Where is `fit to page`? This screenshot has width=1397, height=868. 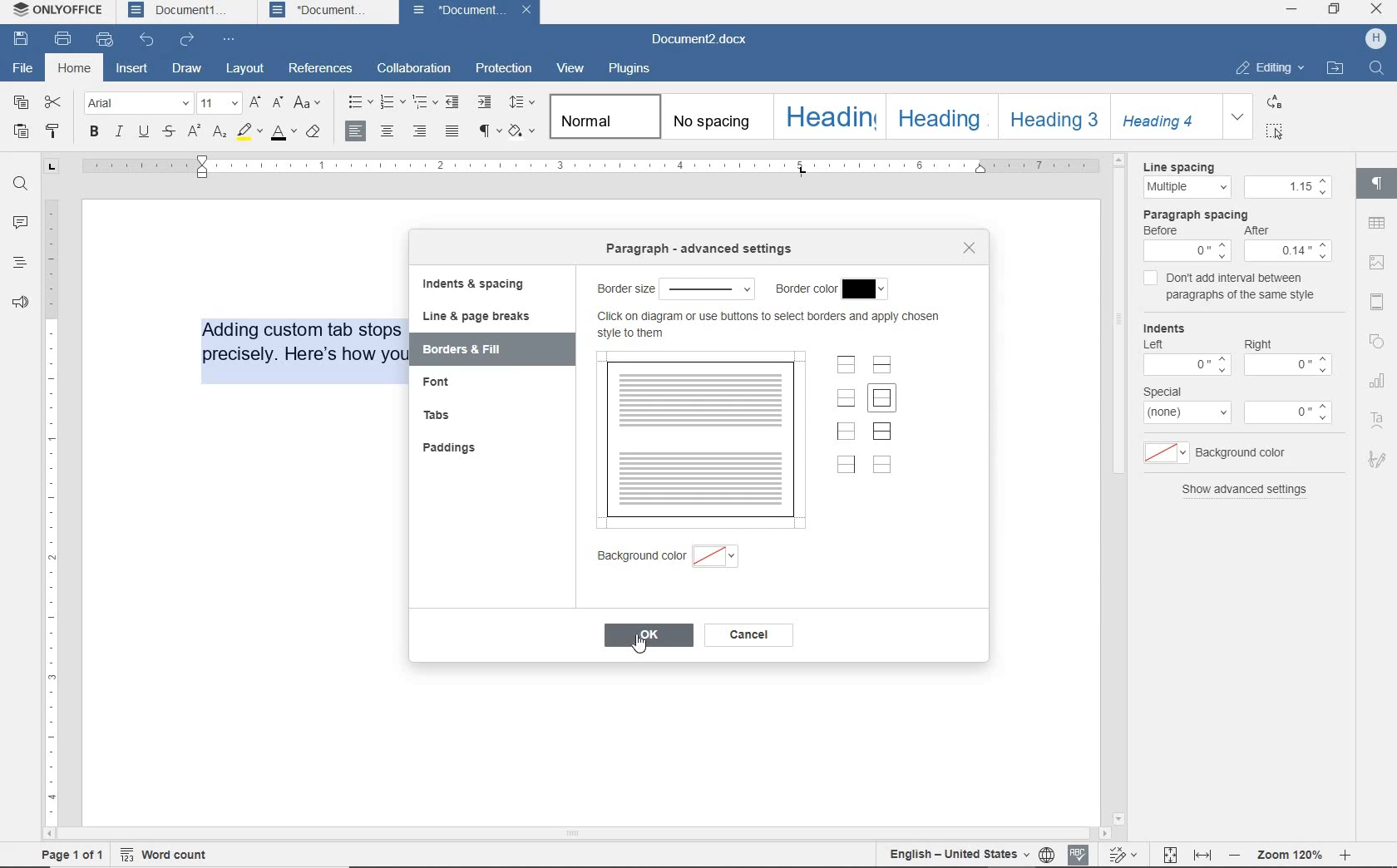
fit to page is located at coordinates (1169, 853).